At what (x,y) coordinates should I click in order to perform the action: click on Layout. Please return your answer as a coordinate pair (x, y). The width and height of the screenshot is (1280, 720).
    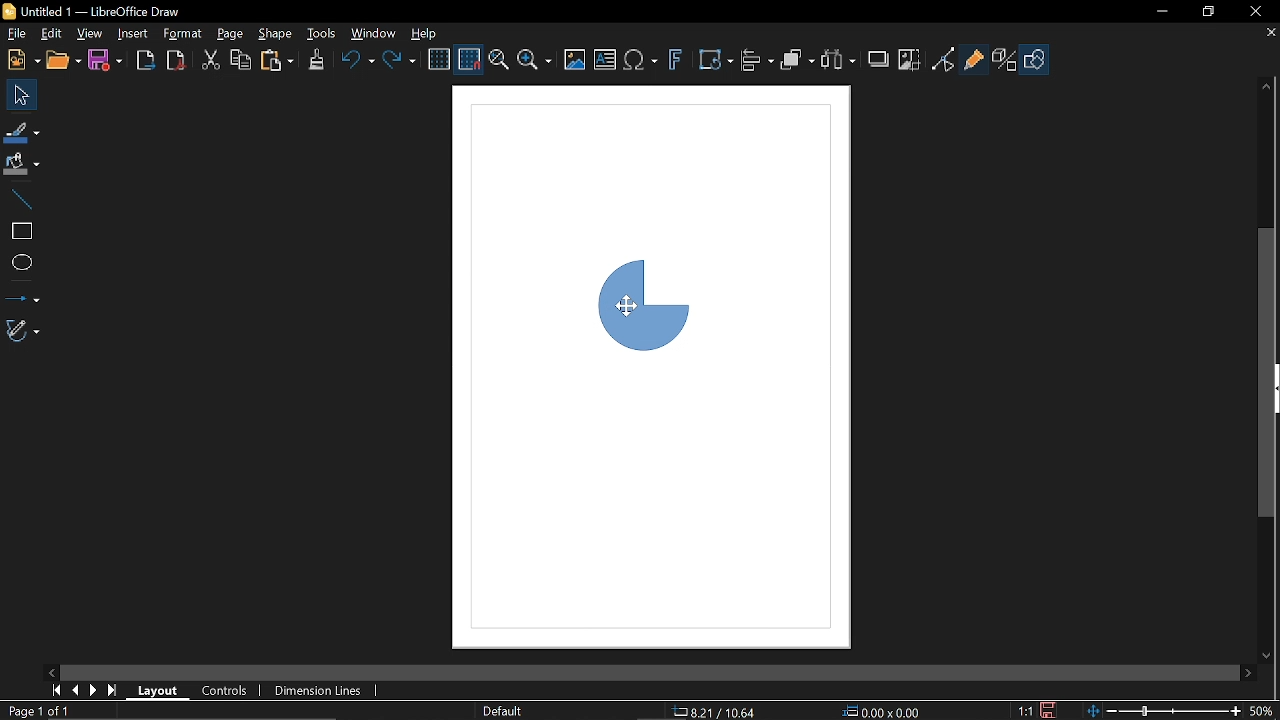
    Looking at the image, I should click on (159, 692).